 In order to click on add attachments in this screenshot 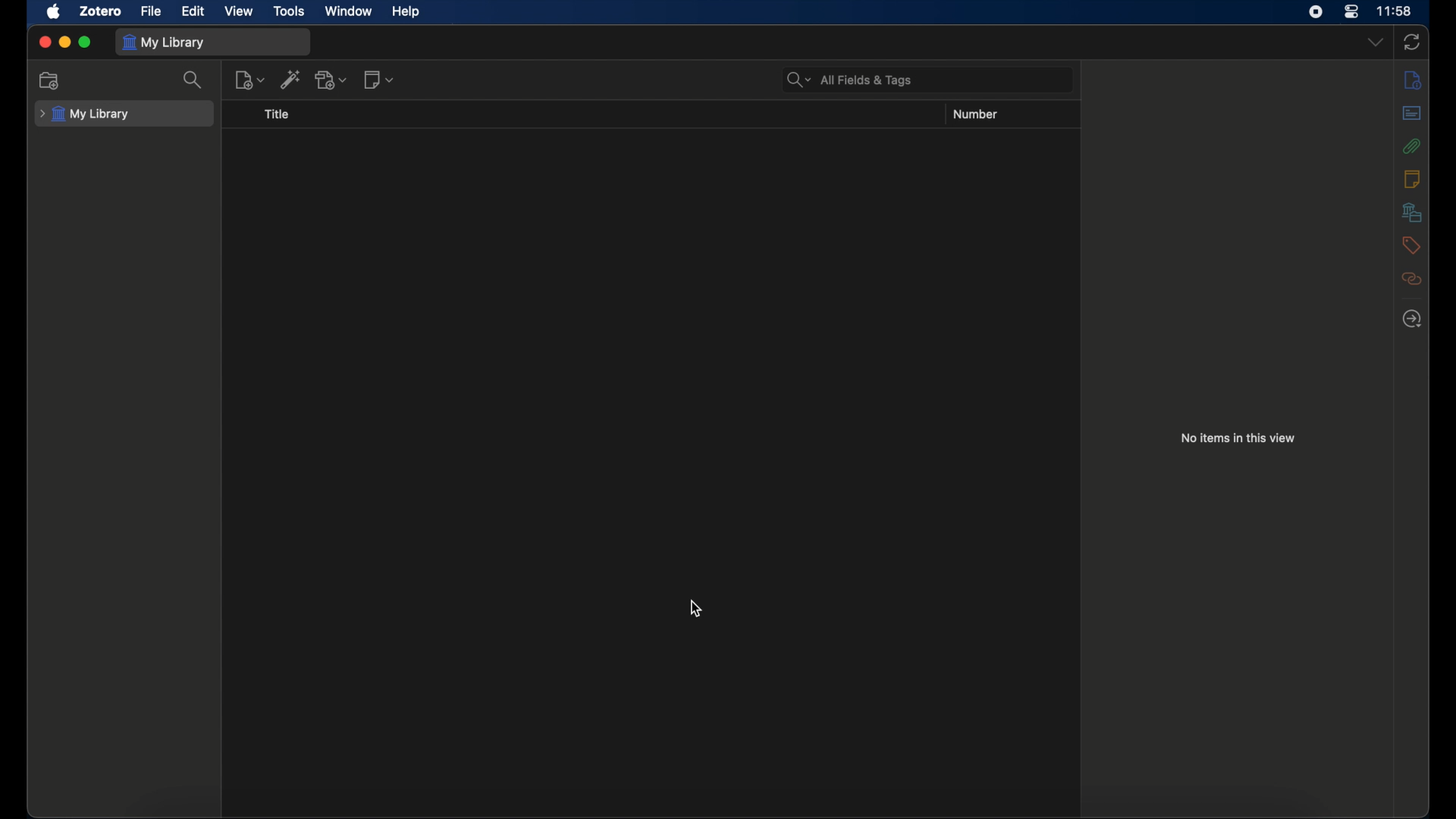, I will do `click(331, 80)`.